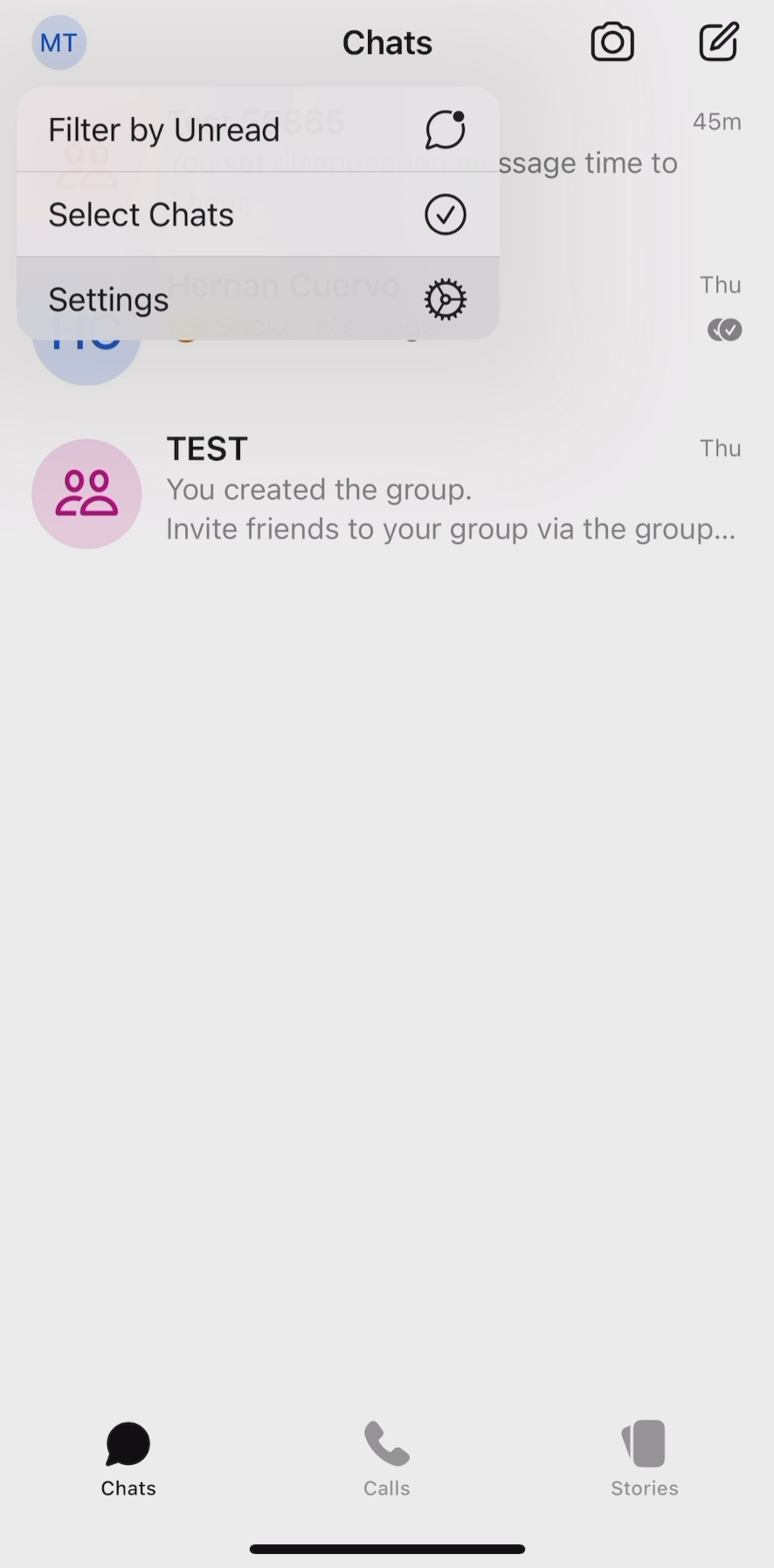  Describe the element at coordinates (717, 38) in the screenshot. I see `new chat` at that location.